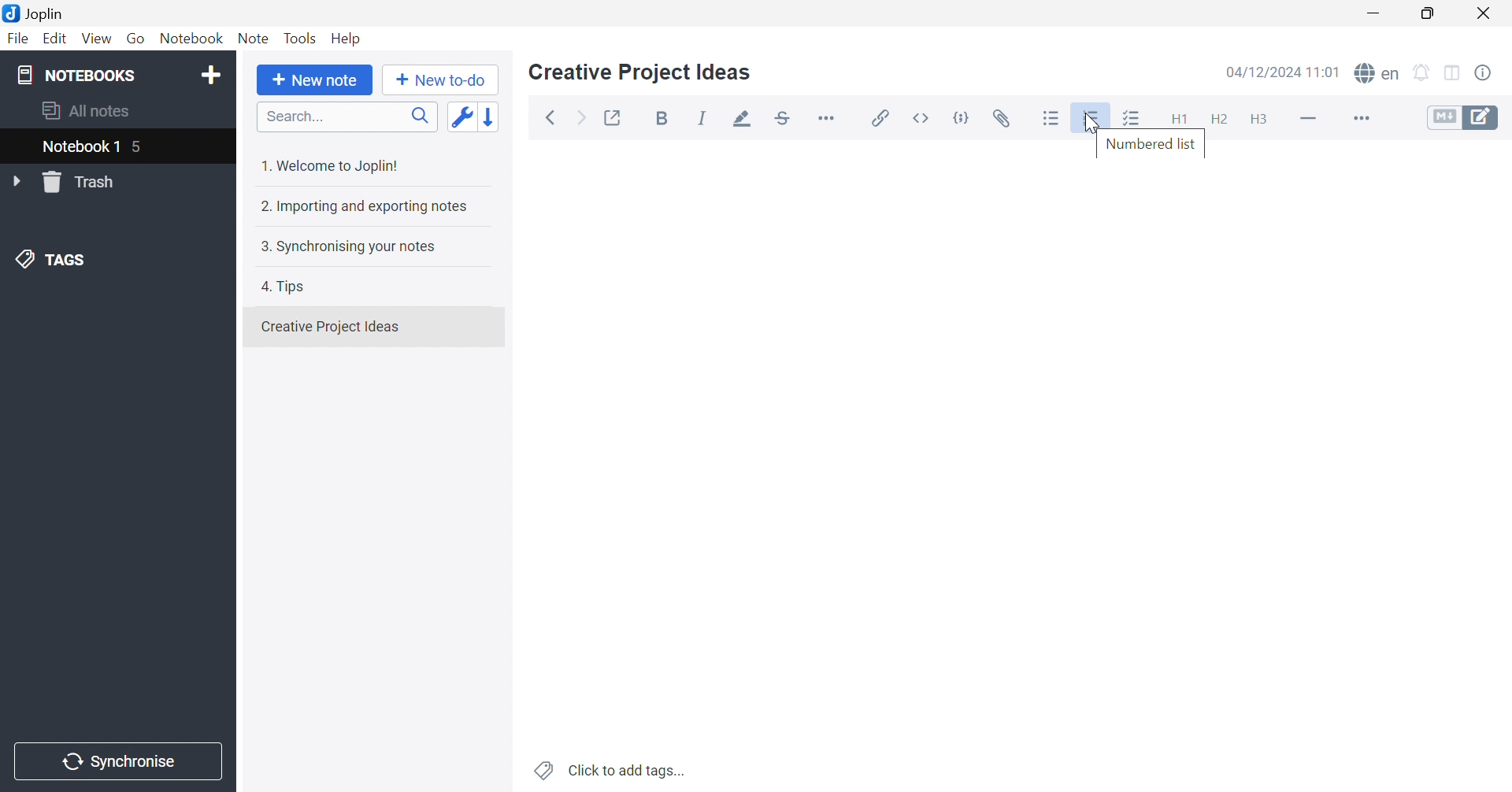 This screenshot has width=1512, height=792. What do you see at coordinates (347, 38) in the screenshot?
I see `Help` at bounding box center [347, 38].